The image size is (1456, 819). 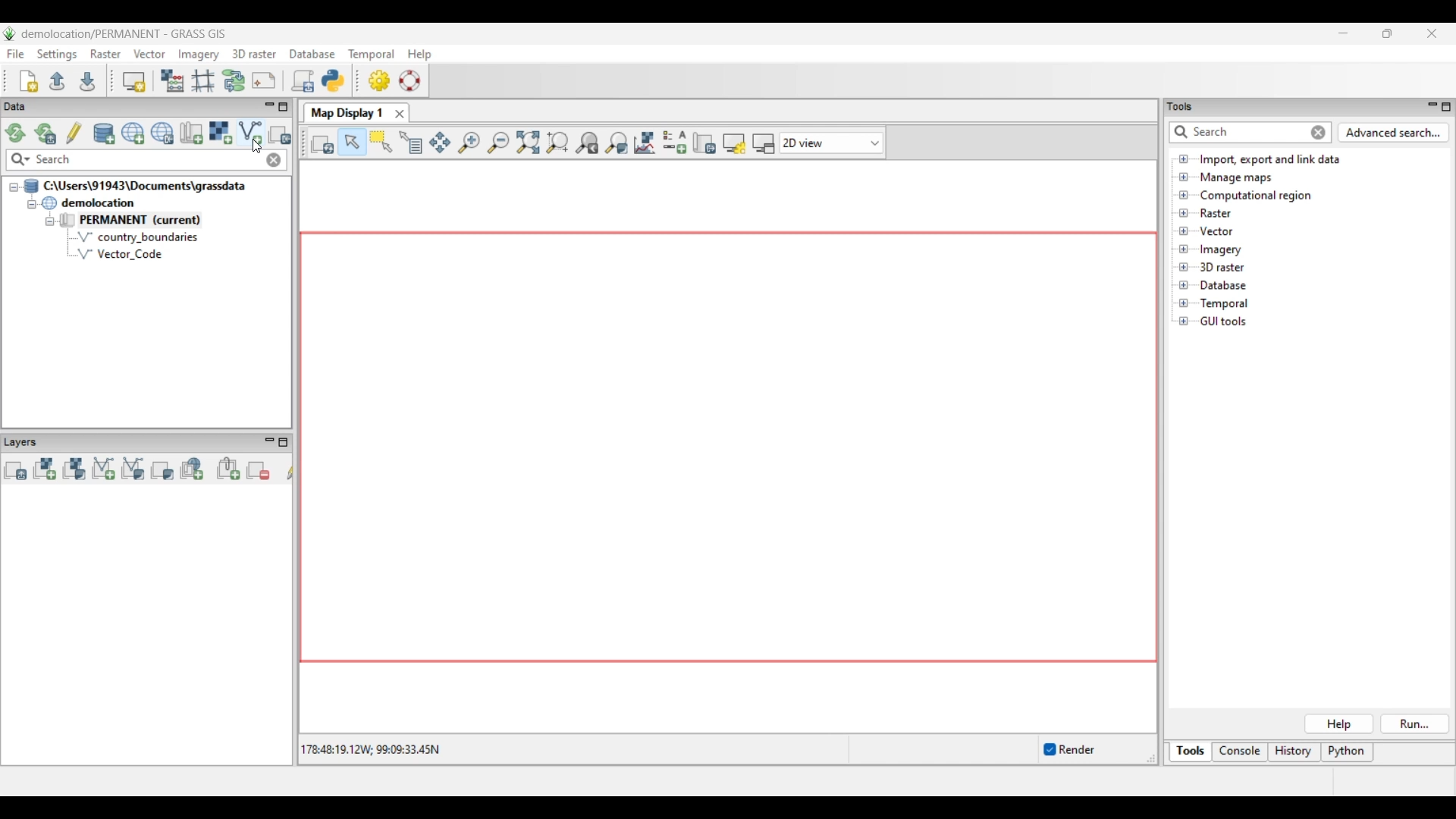 I want to click on tools, so click(x=1185, y=105).